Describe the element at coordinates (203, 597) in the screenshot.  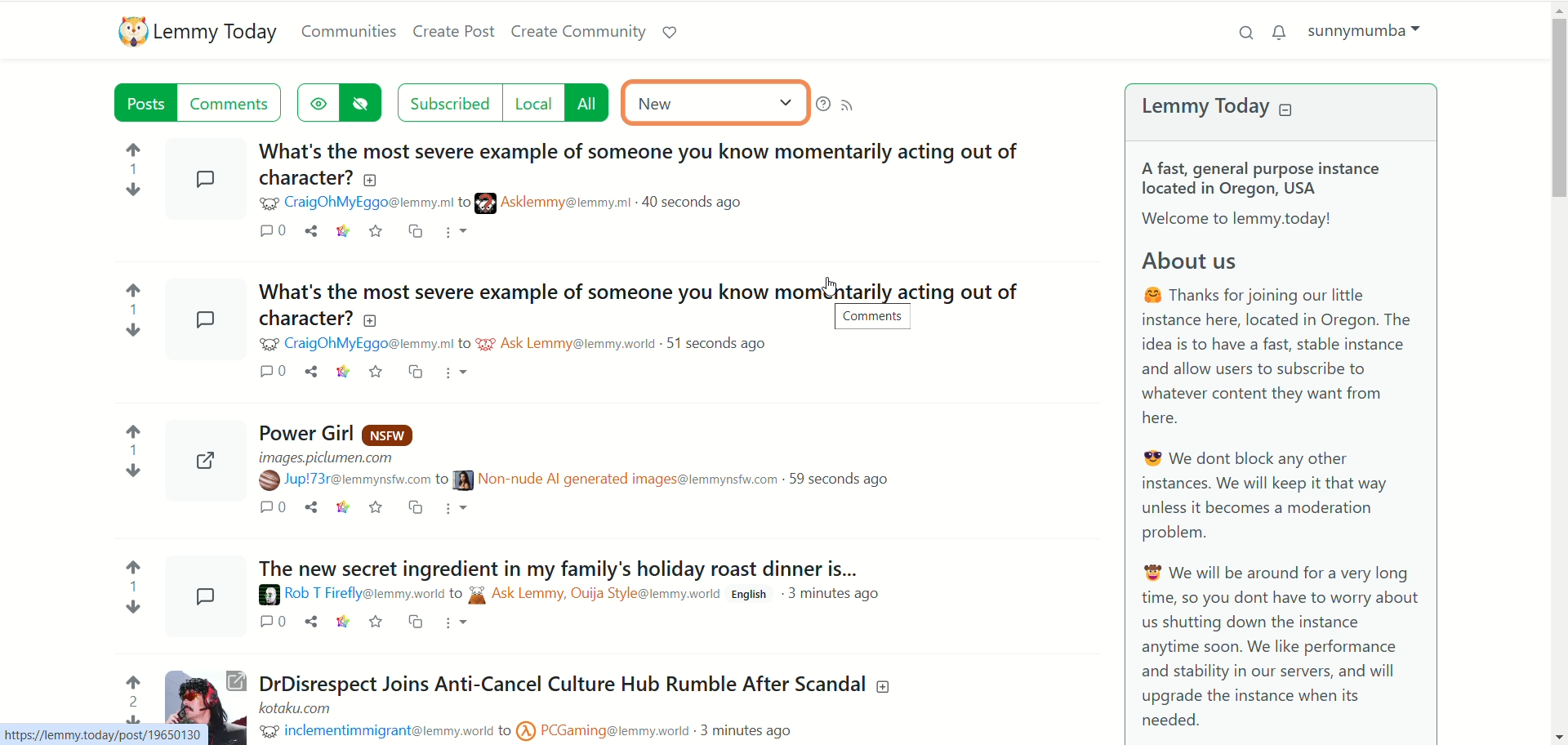
I see `Image preview` at that location.